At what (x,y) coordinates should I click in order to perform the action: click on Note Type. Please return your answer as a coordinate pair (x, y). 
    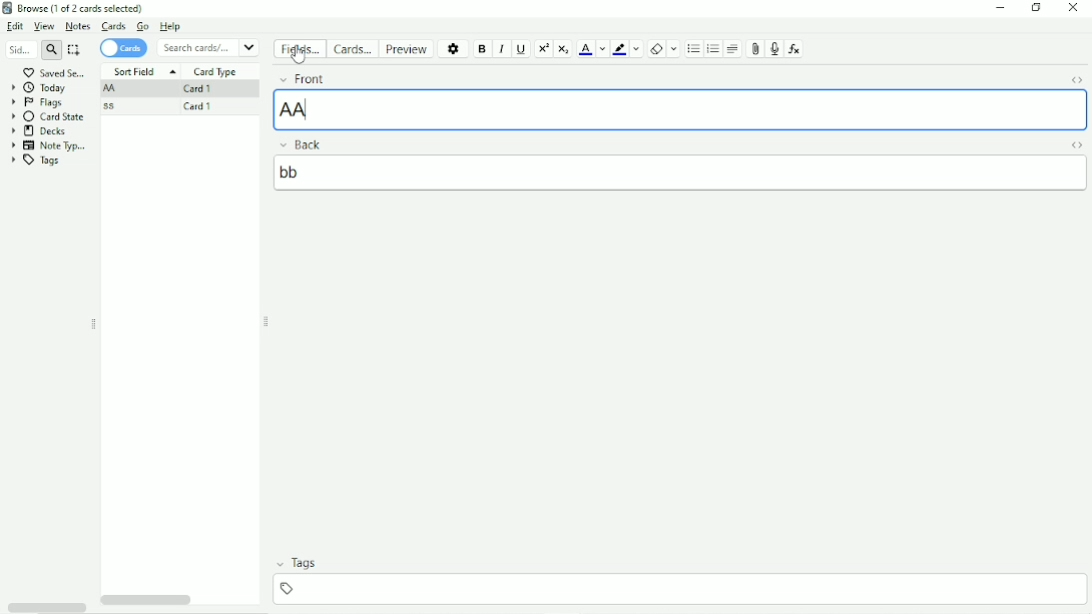
    Looking at the image, I should click on (49, 146).